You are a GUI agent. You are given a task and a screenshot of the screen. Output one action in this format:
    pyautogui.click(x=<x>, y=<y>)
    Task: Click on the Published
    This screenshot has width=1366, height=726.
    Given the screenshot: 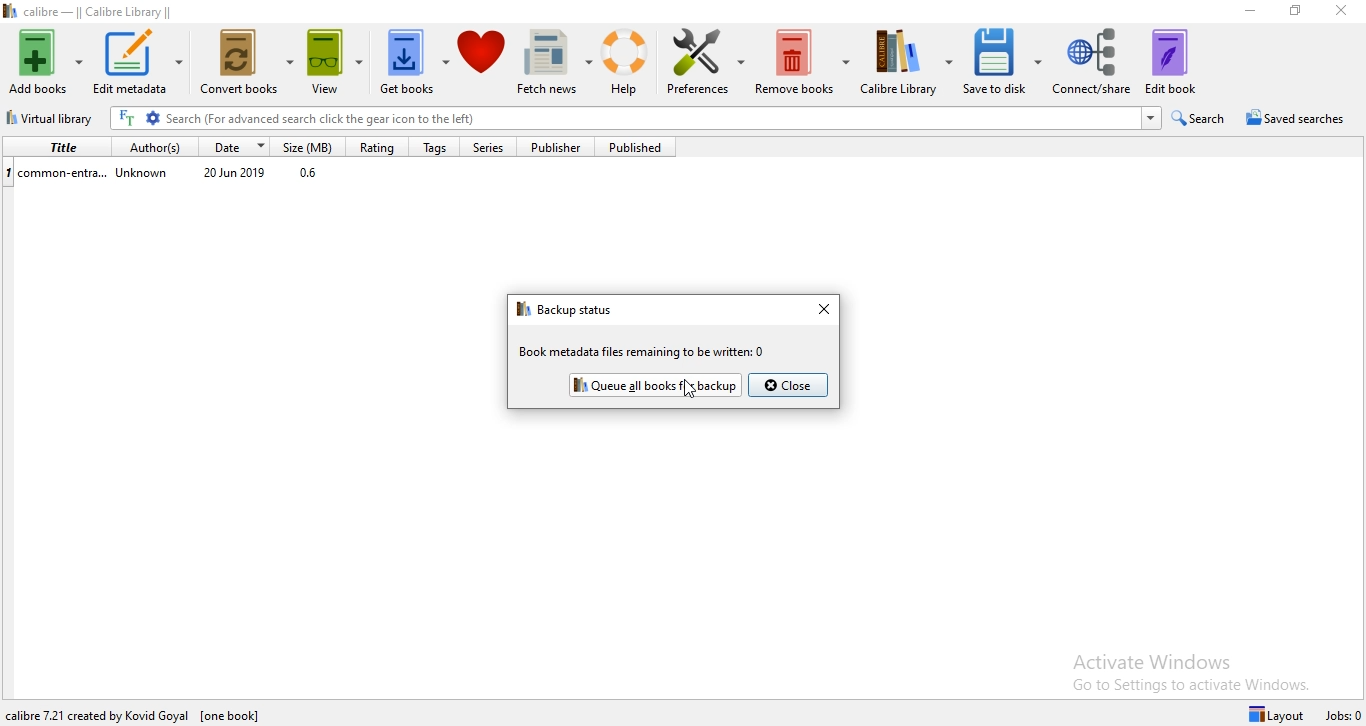 What is the action you would take?
    pyautogui.click(x=641, y=147)
    